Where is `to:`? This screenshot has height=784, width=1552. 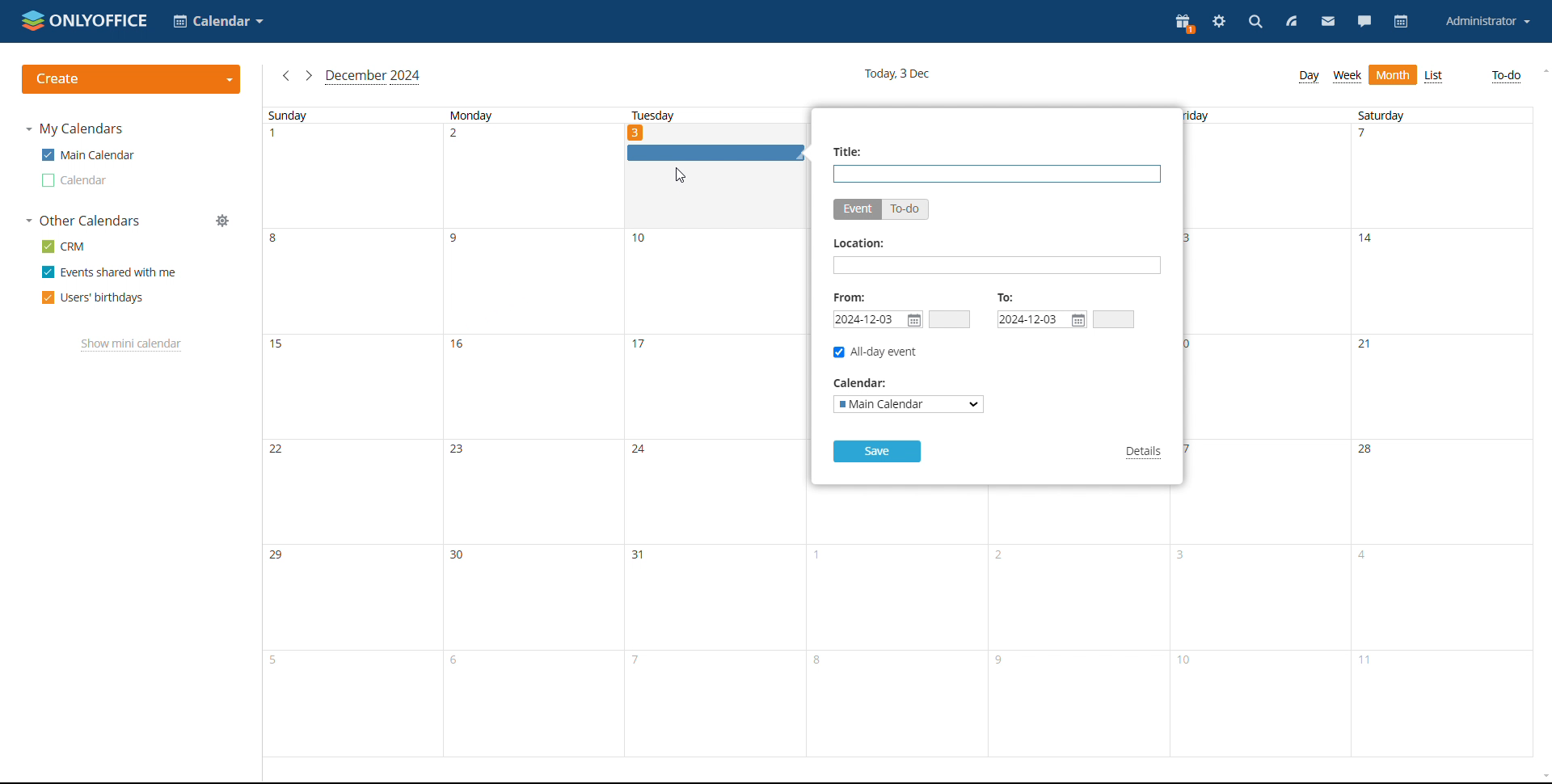 to: is located at coordinates (1009, 298).